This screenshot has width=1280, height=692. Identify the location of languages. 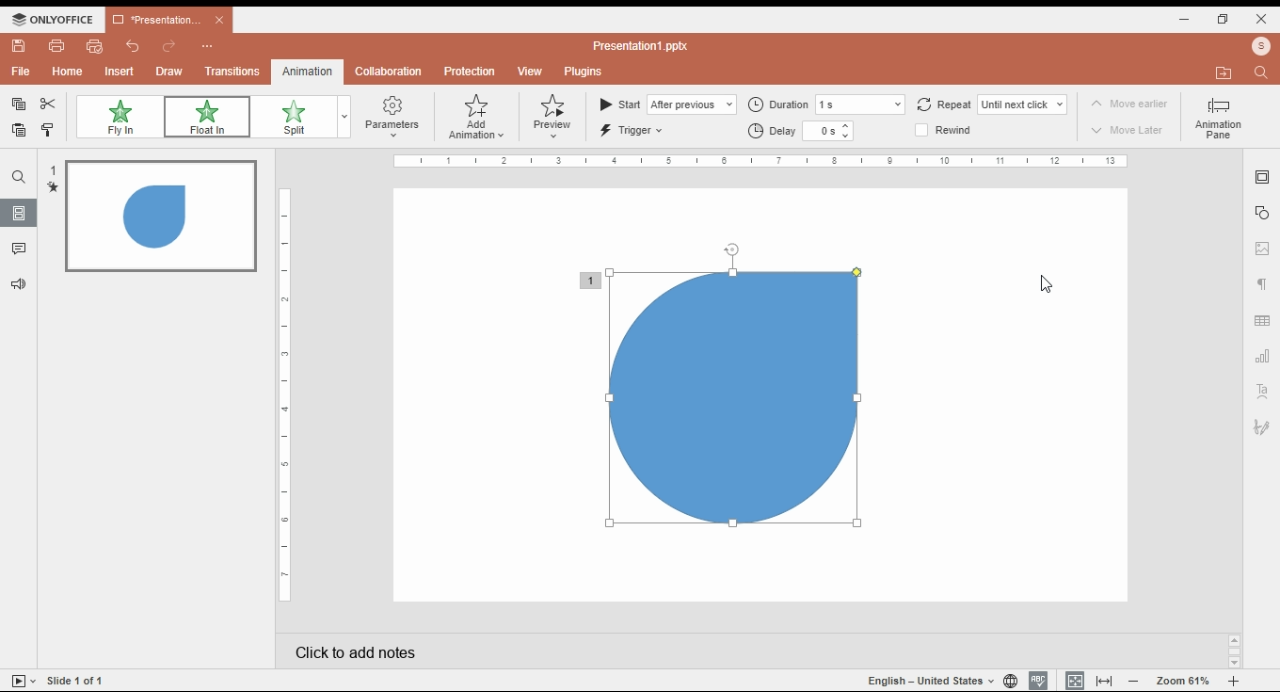
(931, 680).